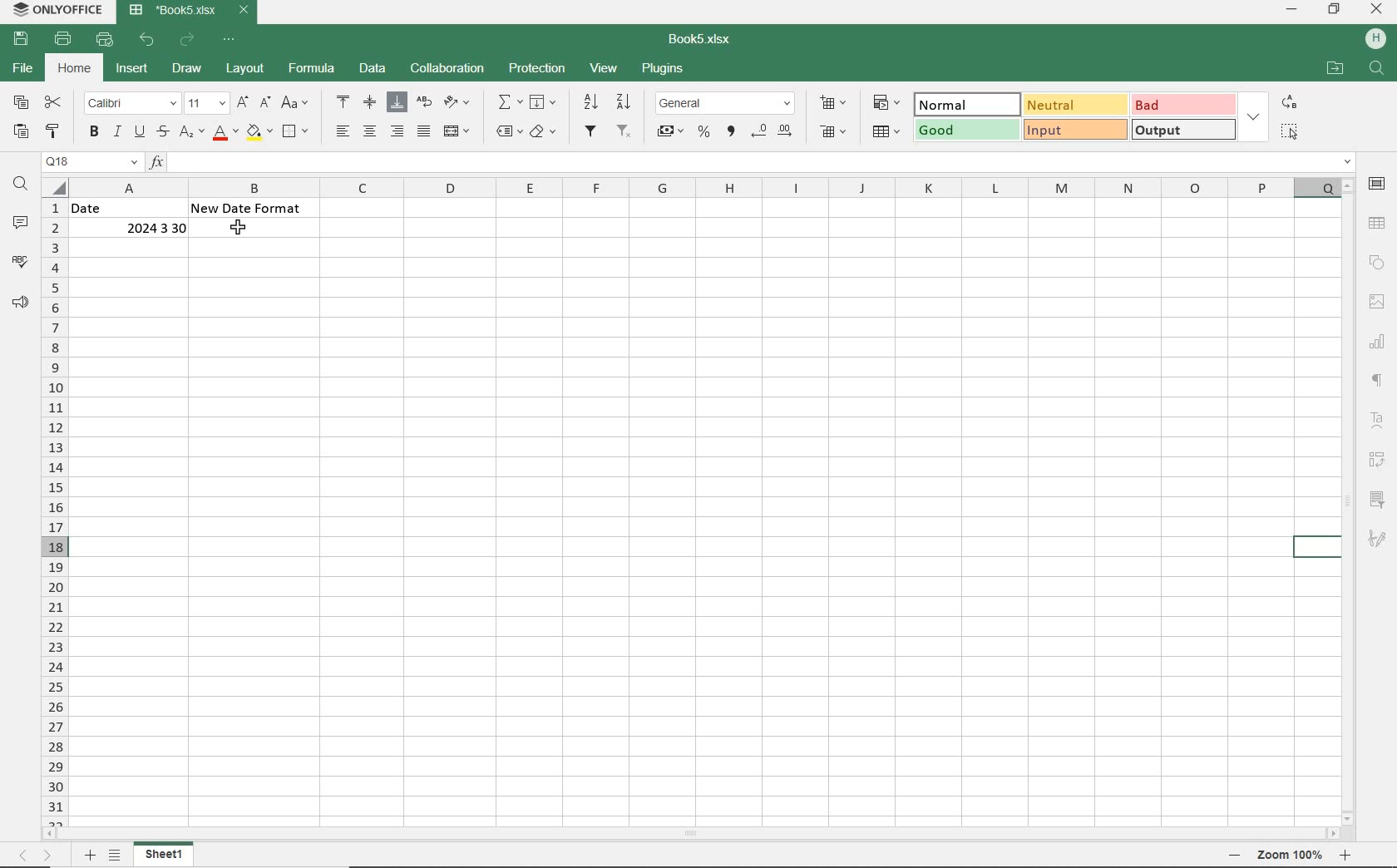 Image resolution: width=1397 pixels, height=868 pixels. I want to click on SORT DESCENDING, so click(624, 102).